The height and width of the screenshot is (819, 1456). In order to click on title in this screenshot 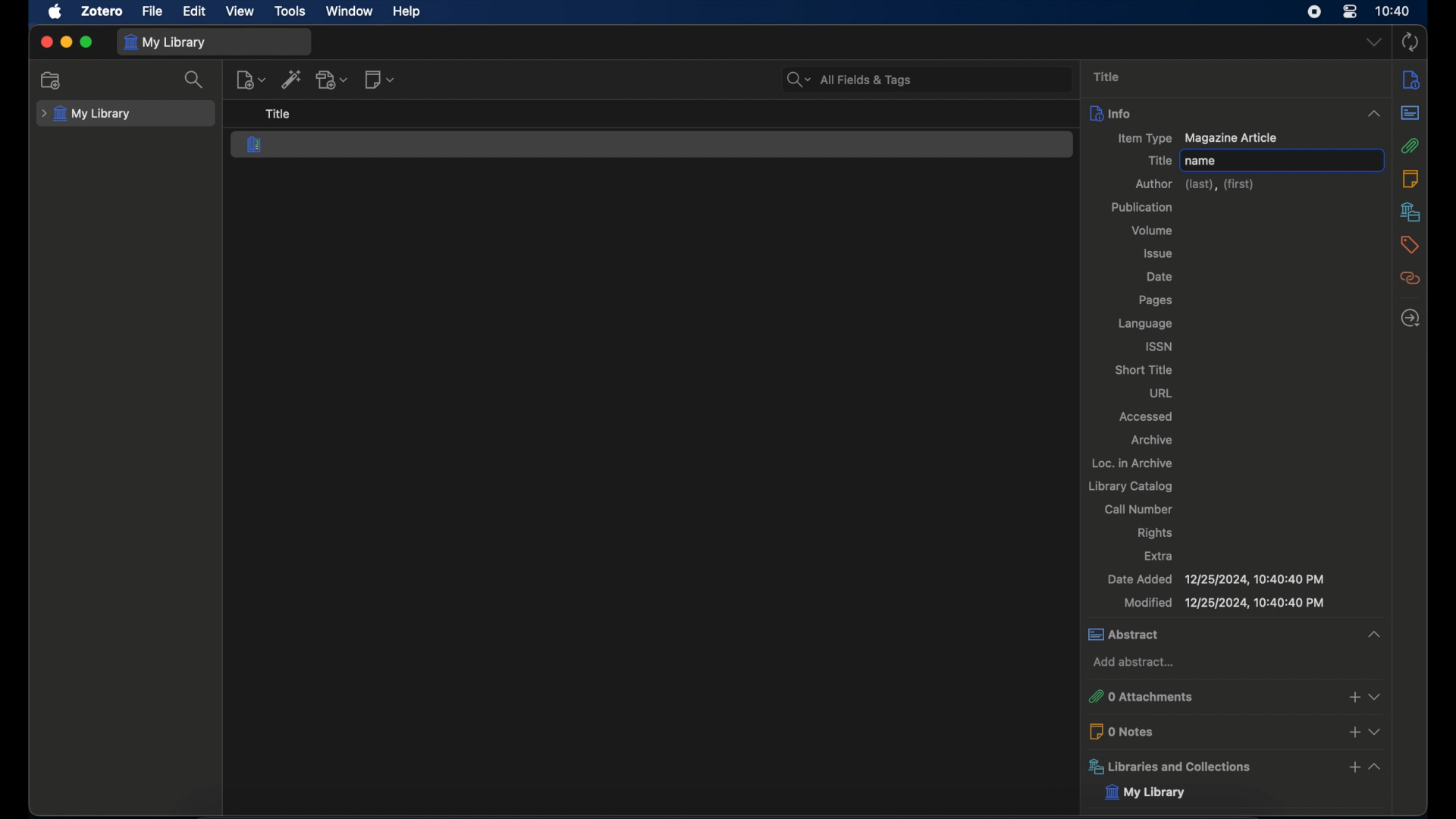, I will do `click(278, 114)`.